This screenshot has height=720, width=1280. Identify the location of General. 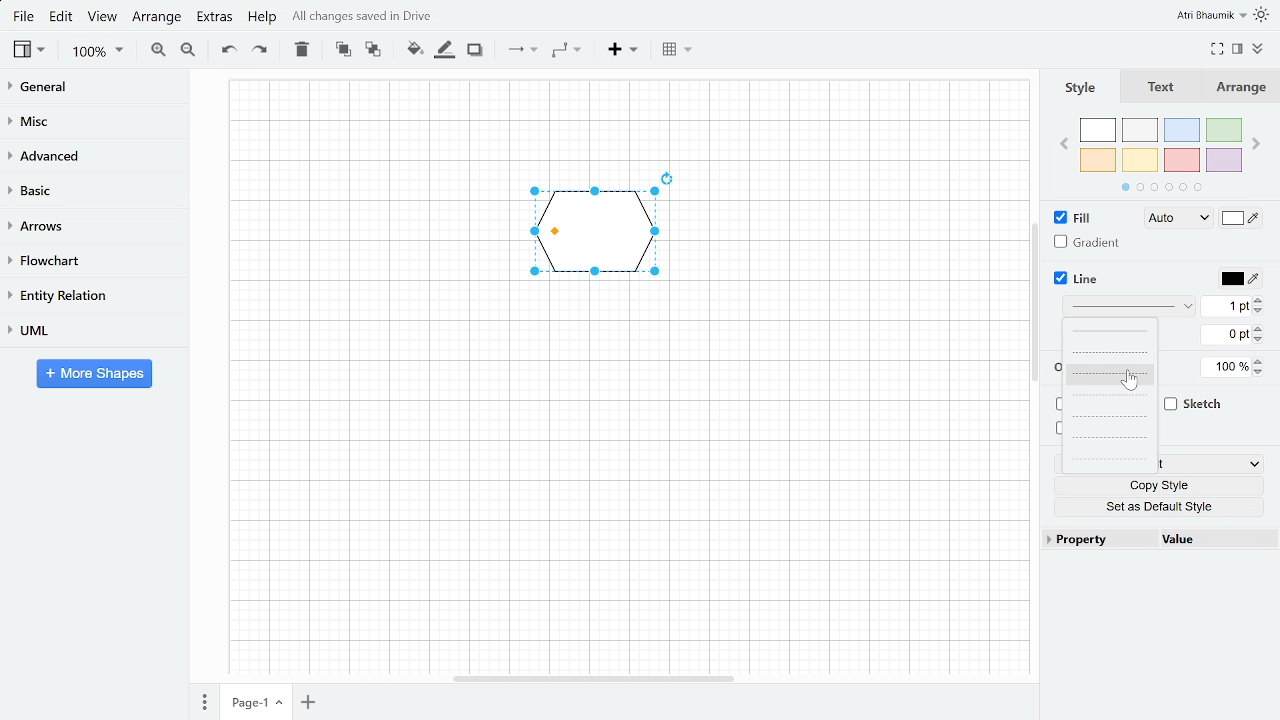
(93, 88).